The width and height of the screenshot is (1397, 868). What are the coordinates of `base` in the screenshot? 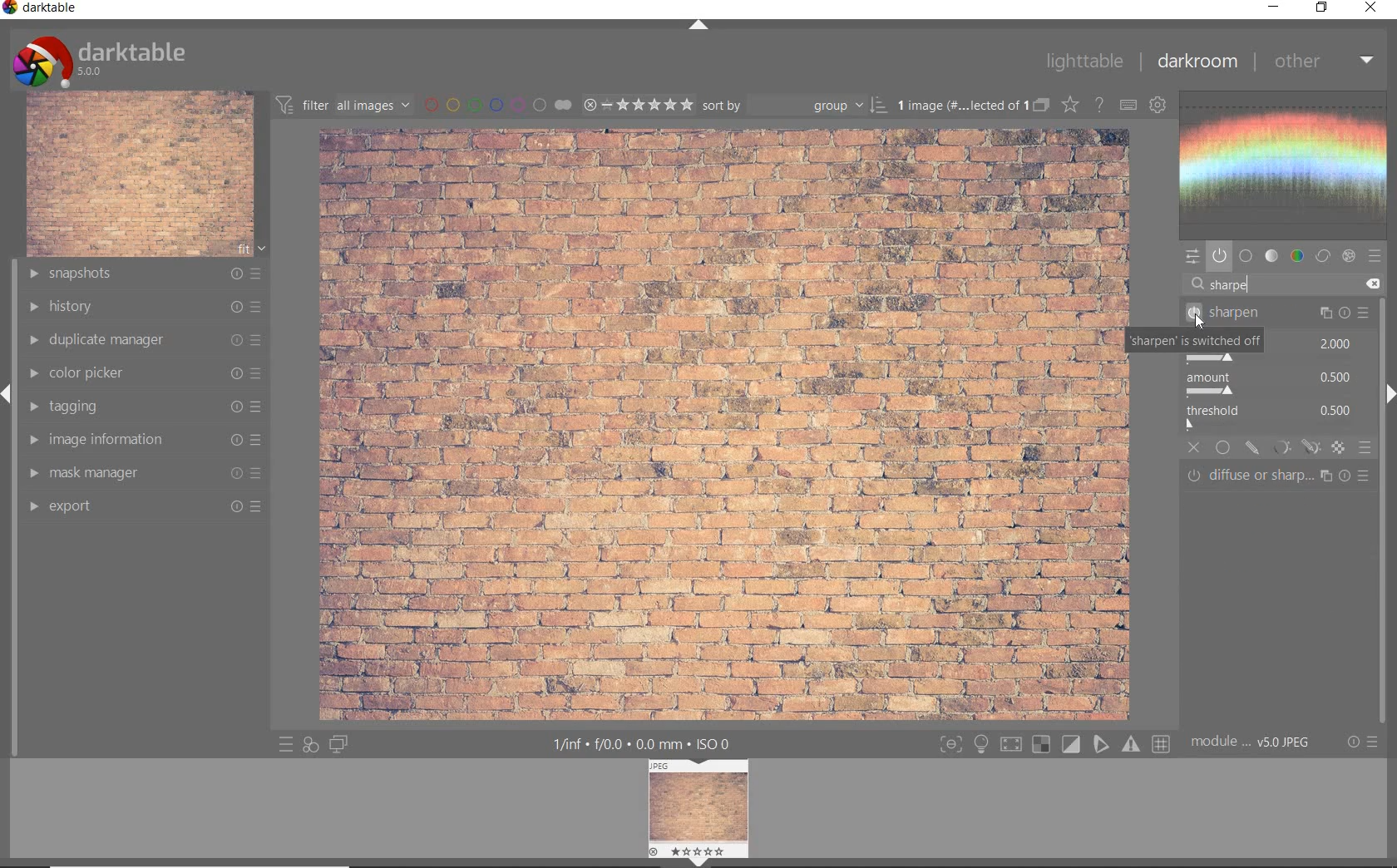 It's located at (1246, 256).